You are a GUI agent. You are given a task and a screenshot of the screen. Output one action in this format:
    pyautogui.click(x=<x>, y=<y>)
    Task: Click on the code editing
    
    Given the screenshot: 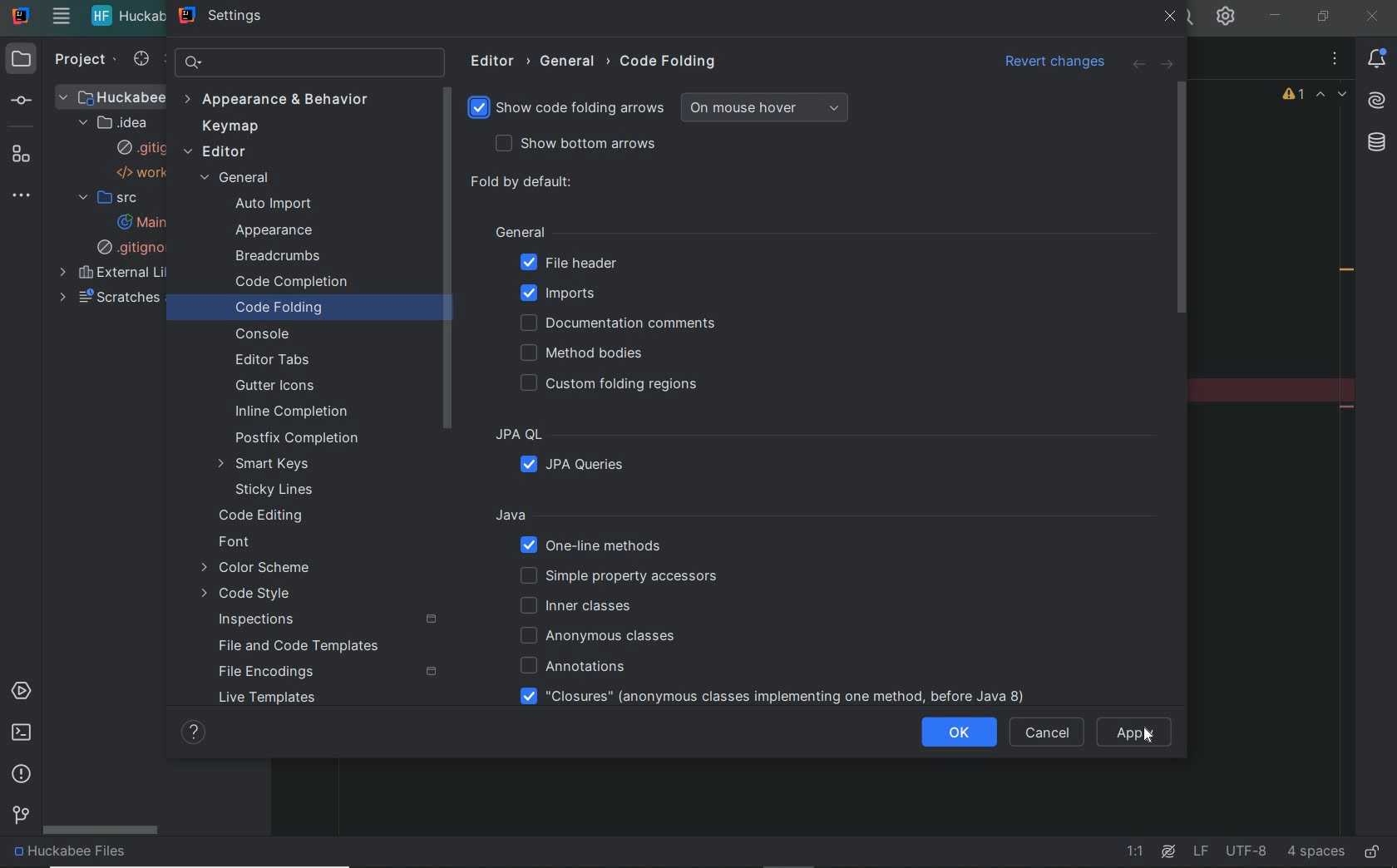 What is the action you would take?
    pyautogui.click(x=263, y=517)
    